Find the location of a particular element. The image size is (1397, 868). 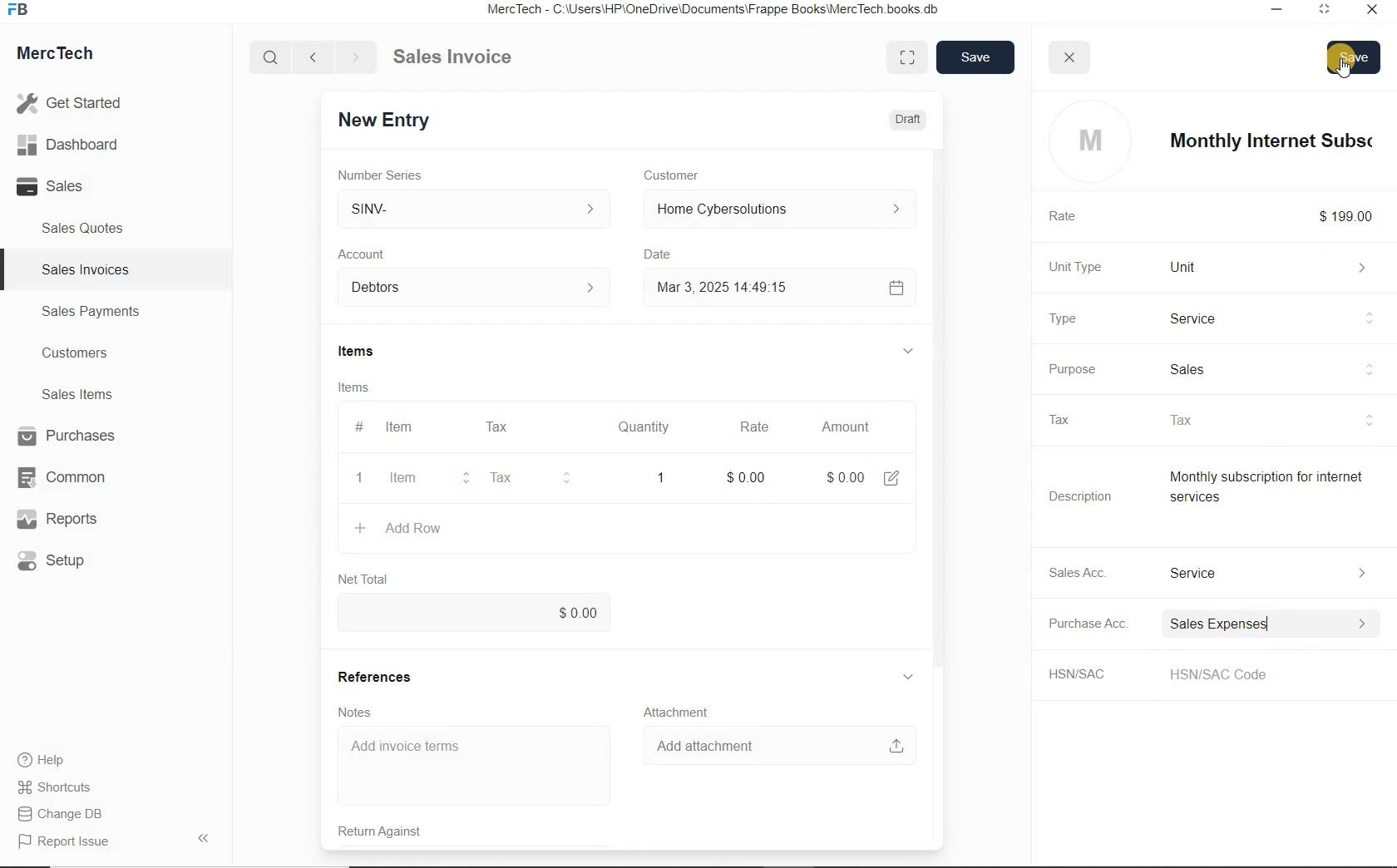

sales is located at coordinates (1267, 367).